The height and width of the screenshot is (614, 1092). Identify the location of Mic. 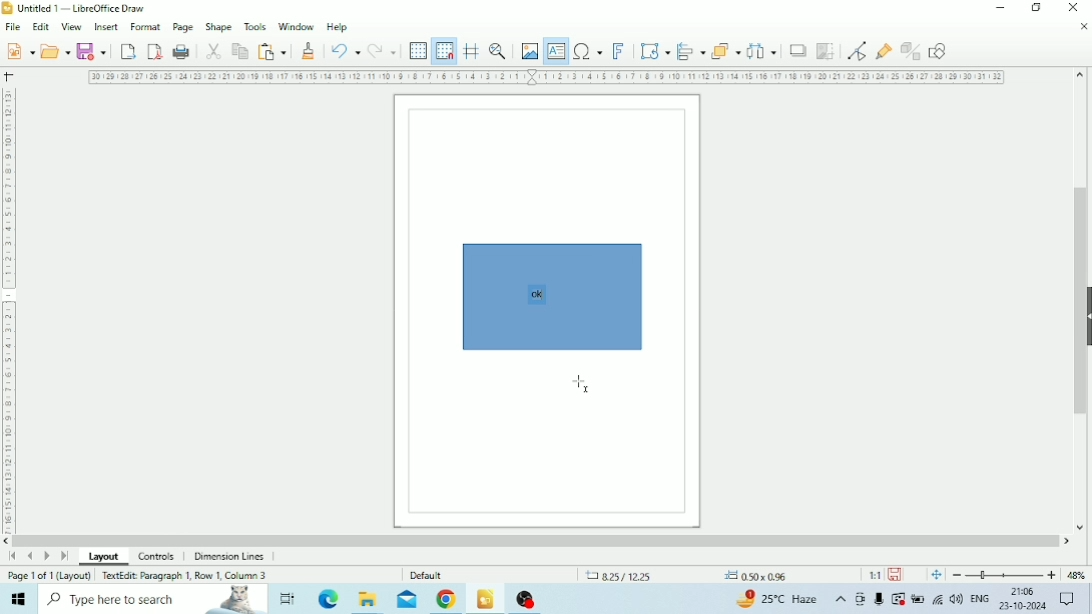
(879, 600).